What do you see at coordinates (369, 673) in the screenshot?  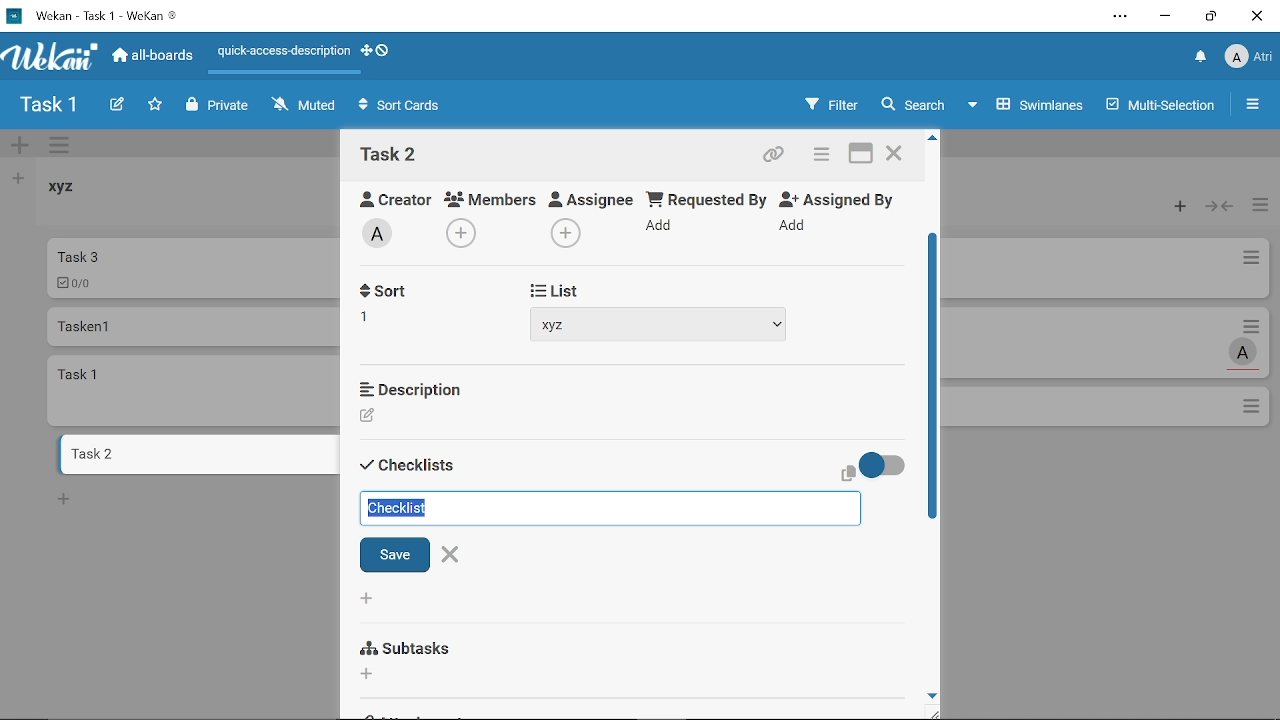 I see `Add` at bounding box center [369, 673].